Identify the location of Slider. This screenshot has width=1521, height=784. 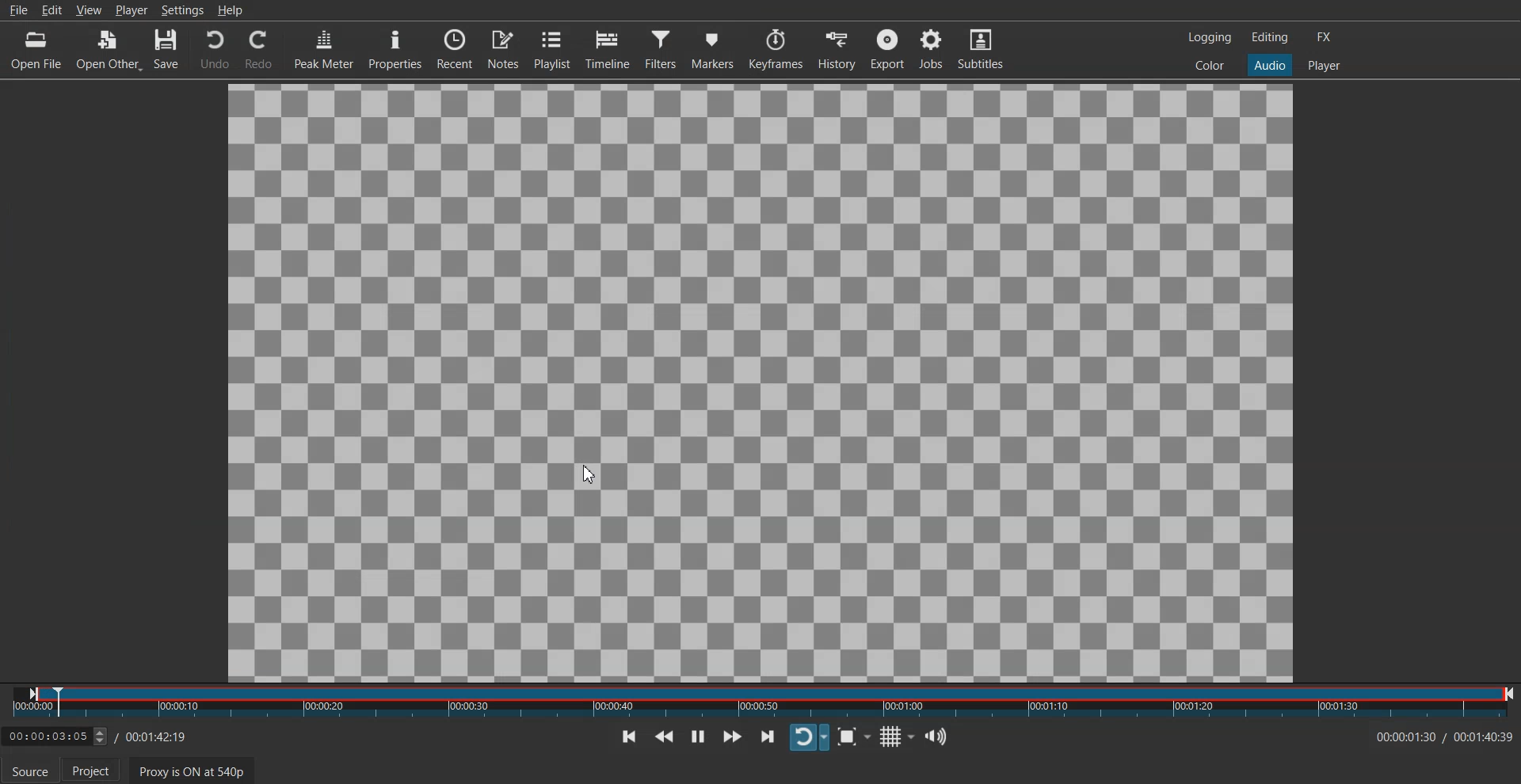
(760, 703).